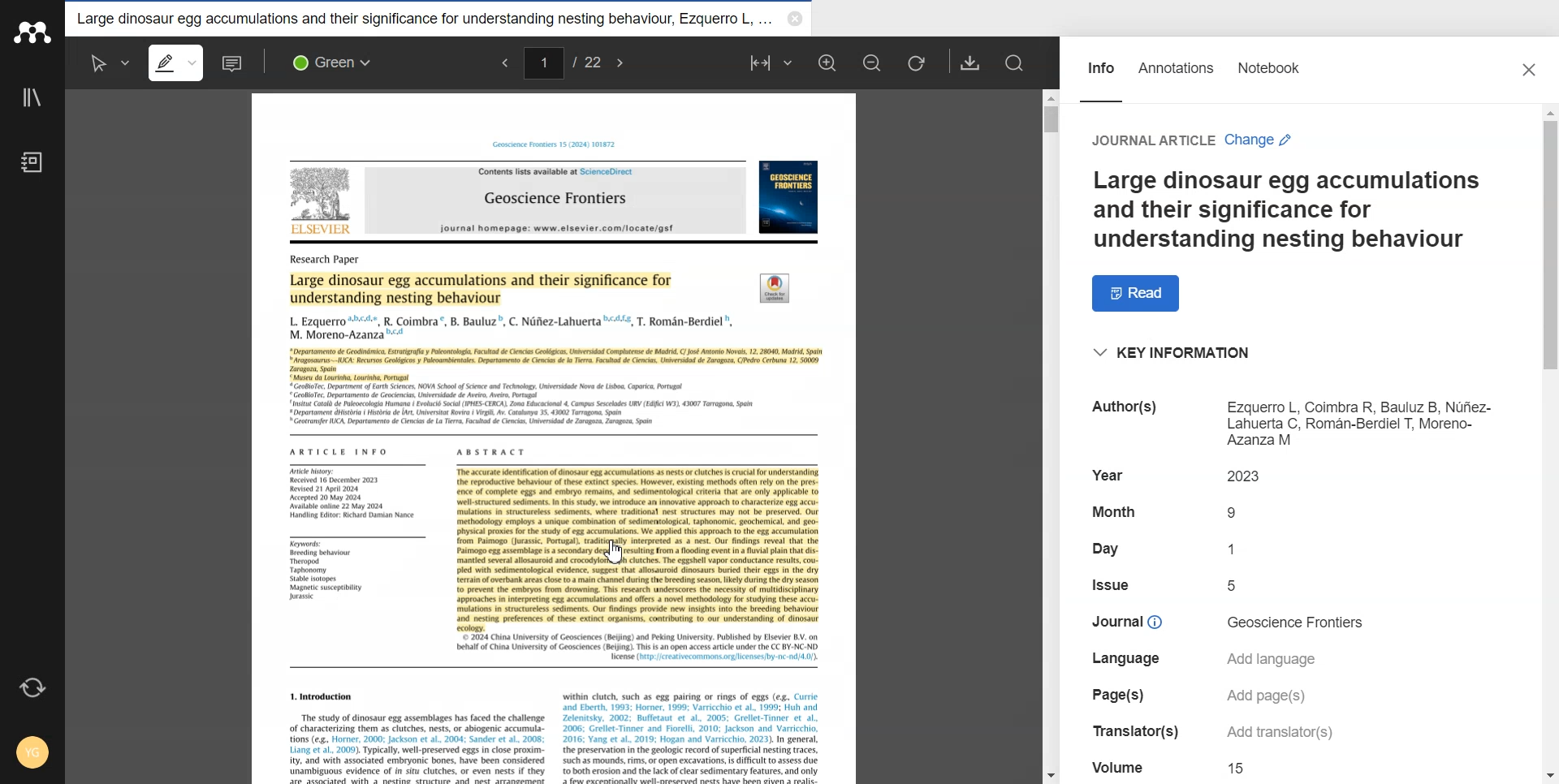 This screenshot has height=784, width=1559. Describe the element at coordinates (1531, 71) in the screenshot. I see `Close` at that location.